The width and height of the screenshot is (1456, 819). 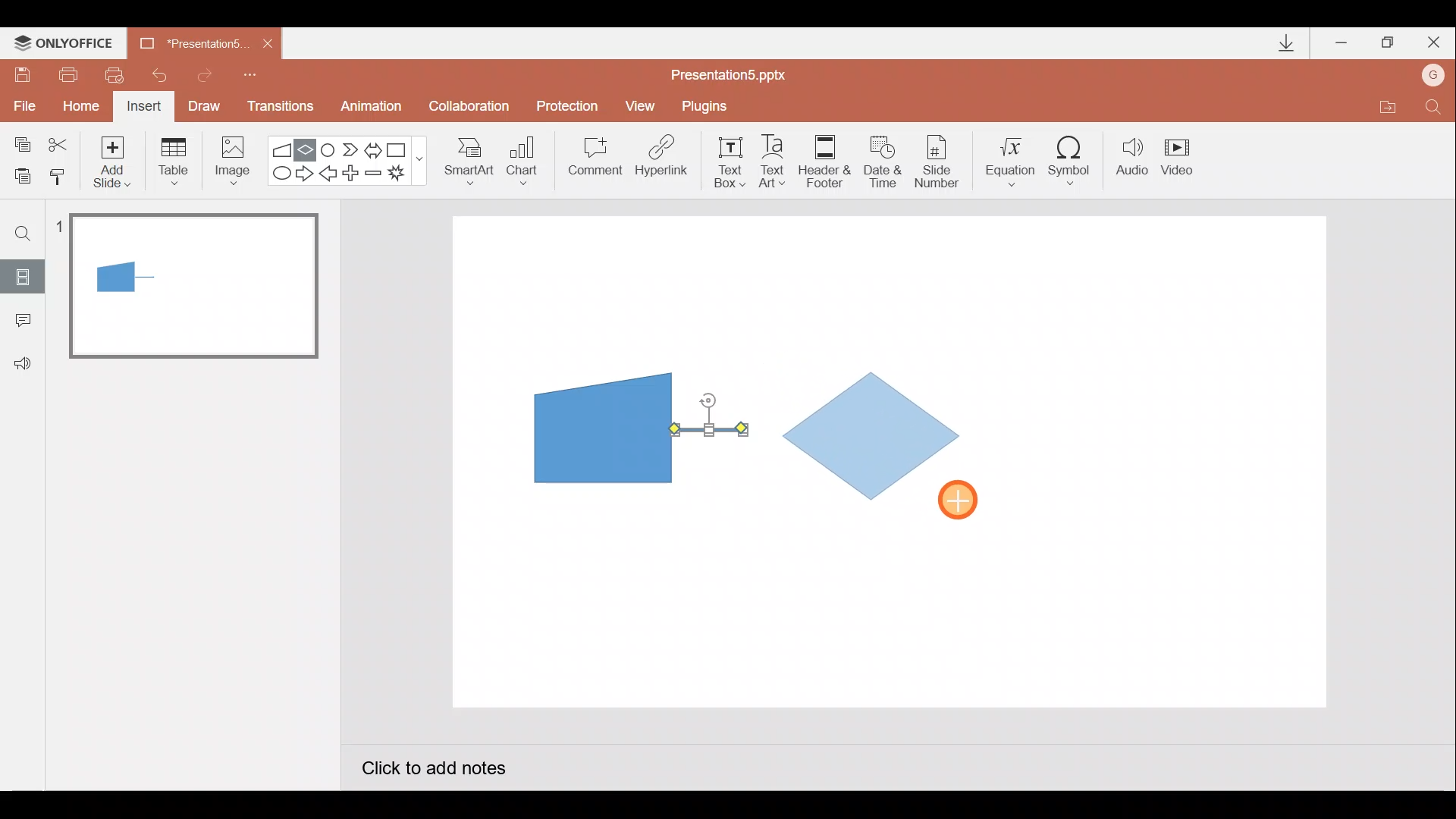 I want to click on Audio, so click(x=1133, y=160).